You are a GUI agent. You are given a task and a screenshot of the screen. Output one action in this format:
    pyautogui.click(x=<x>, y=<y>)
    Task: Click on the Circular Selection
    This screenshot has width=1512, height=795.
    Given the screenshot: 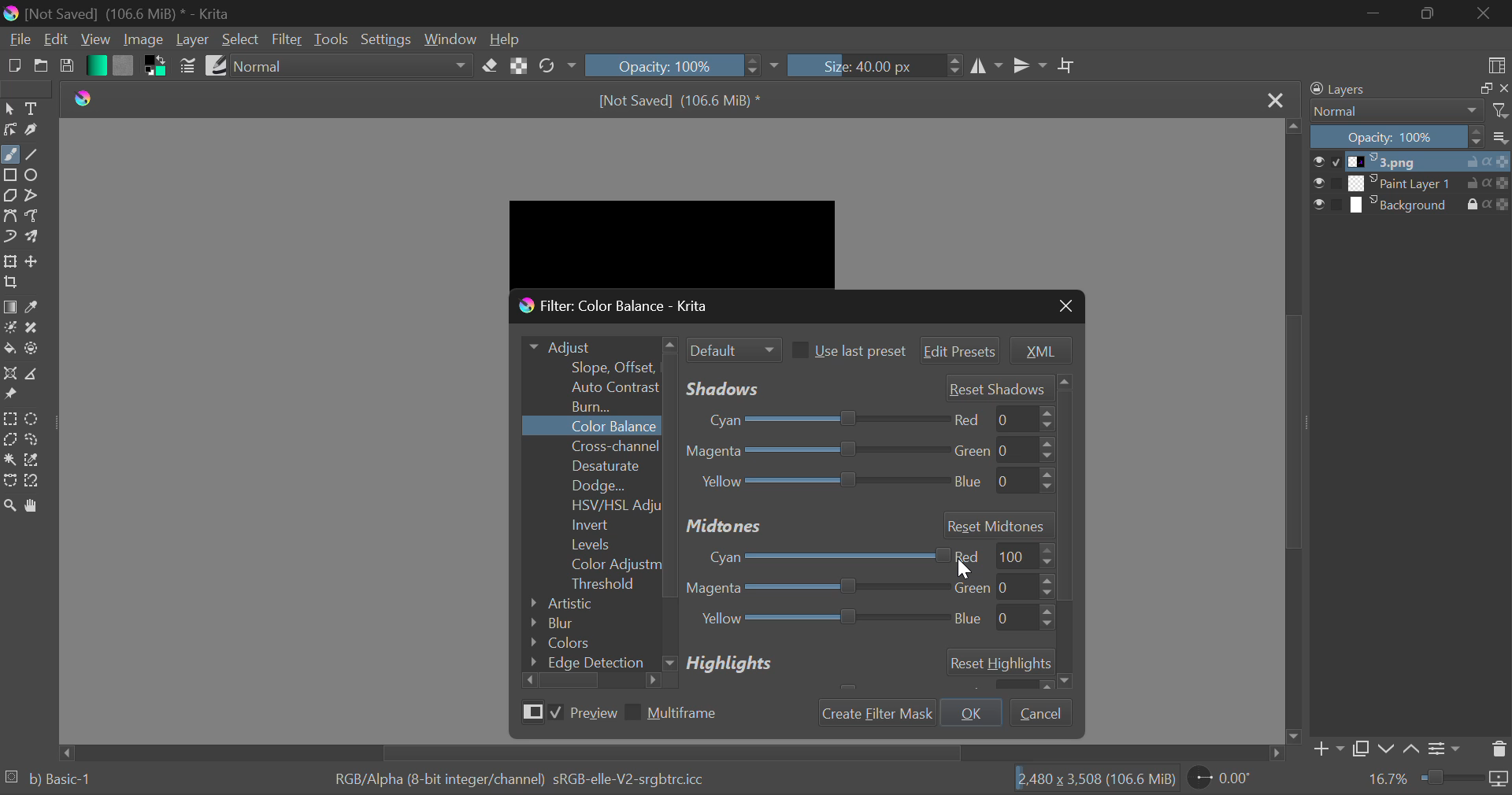 What is the action you would take?
    pyautogui.click(x=34, y=417)
    